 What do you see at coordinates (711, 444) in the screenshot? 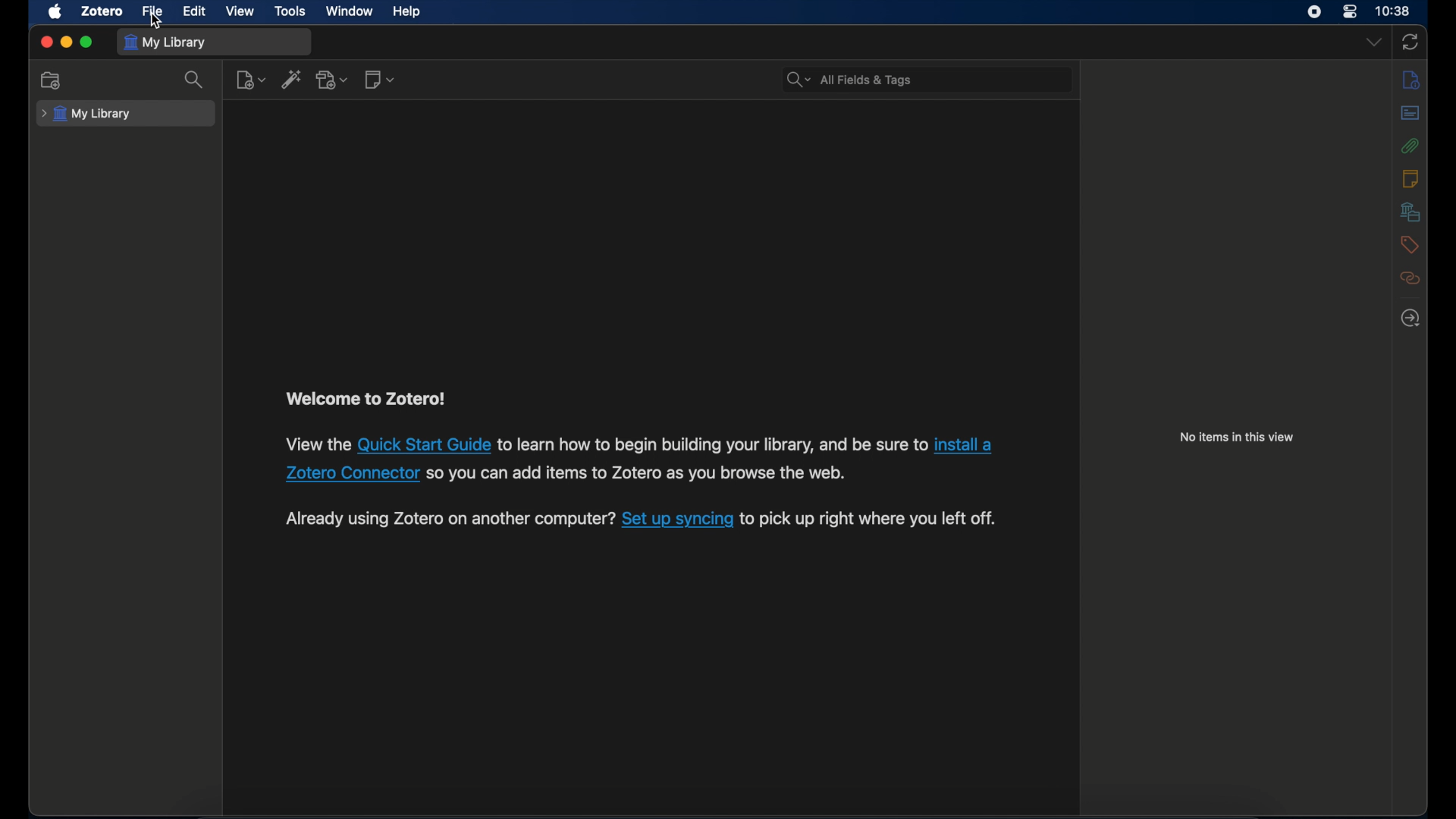
I see `to learn how to begin your library, and be sure to` at bounding box center [711, 444].